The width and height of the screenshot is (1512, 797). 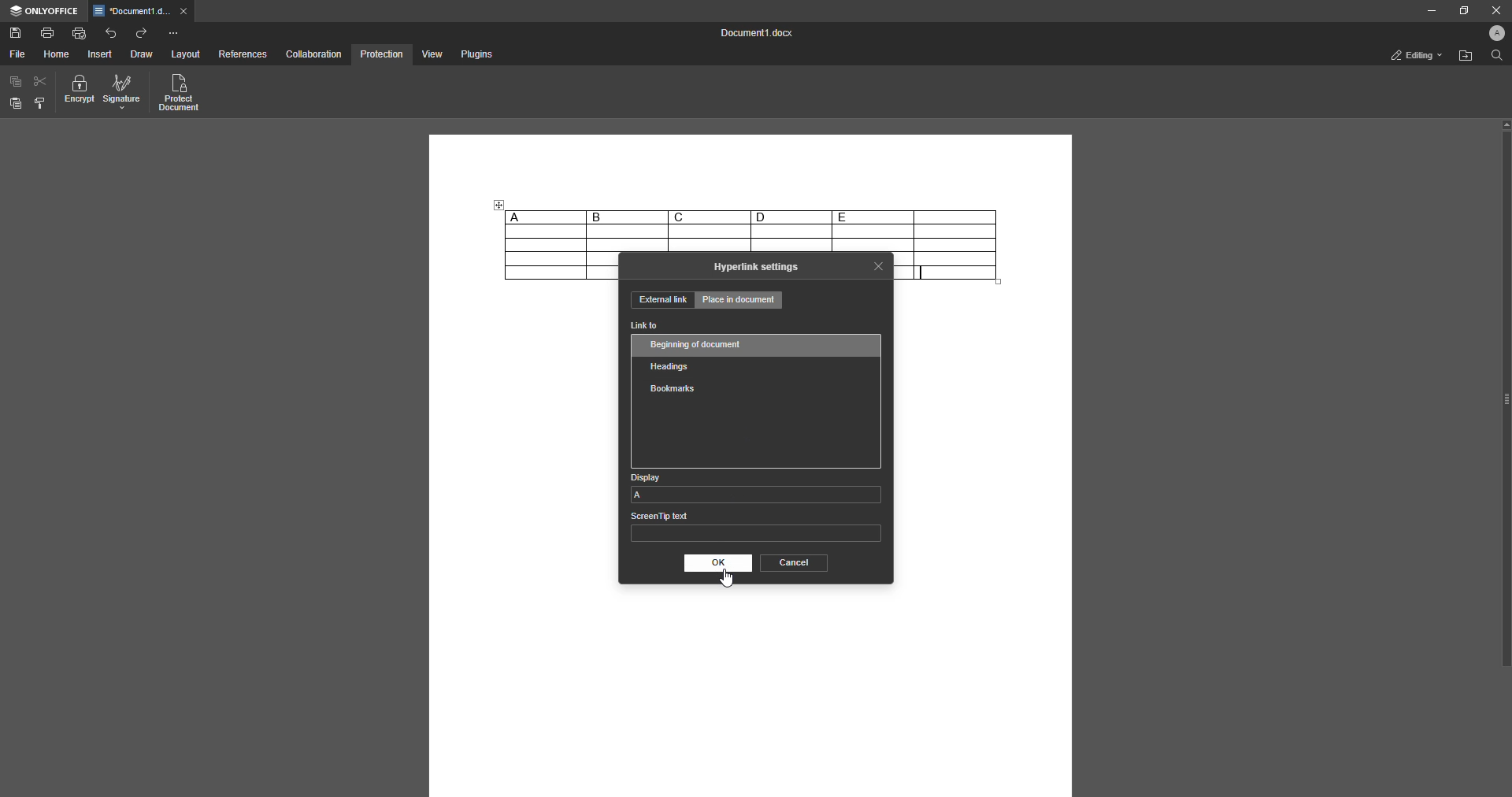 I want to click on Link to, so click(x=645, y=326).